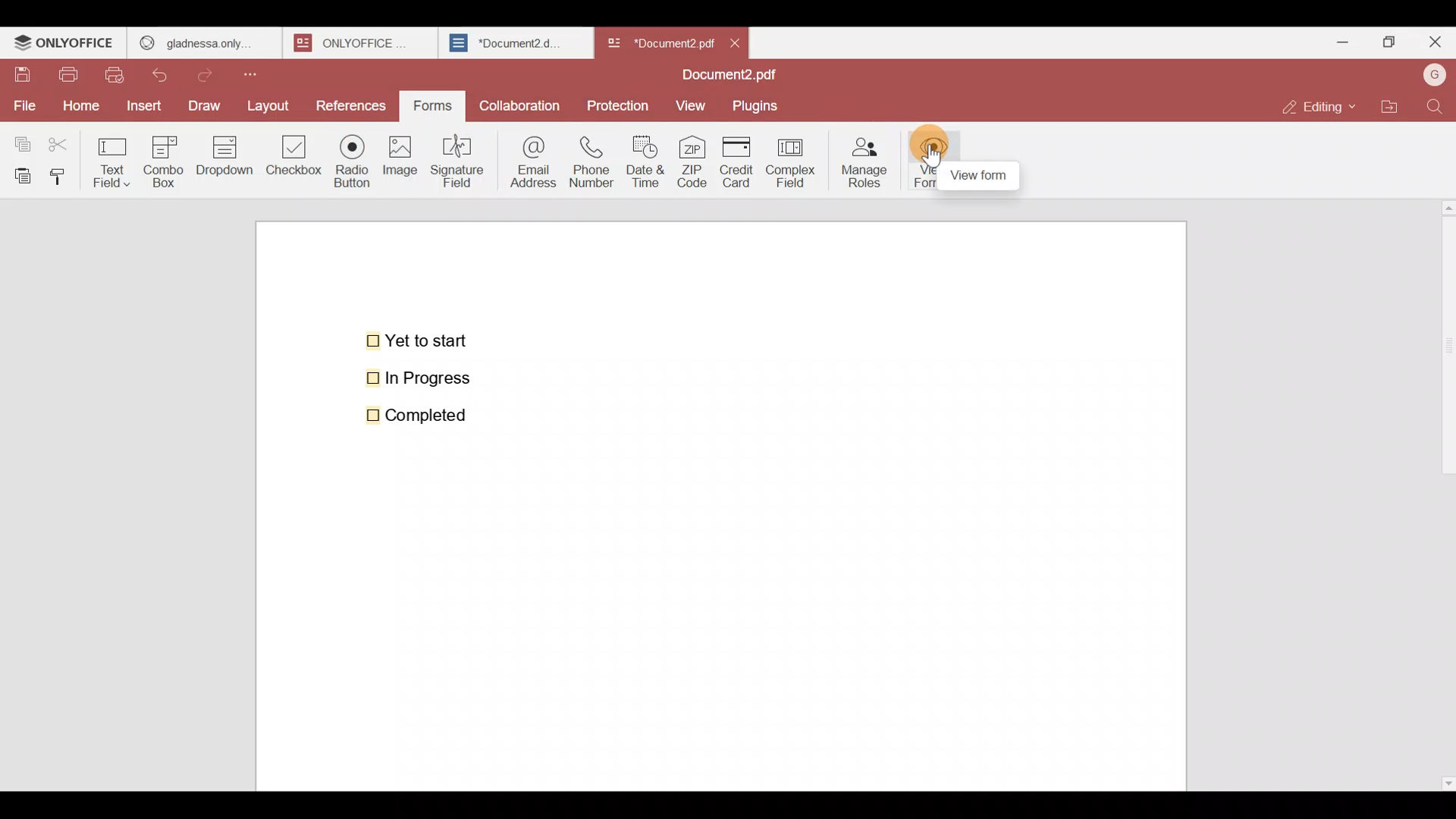  Describe the element at coordinates (292, 161) in the screenshot. I see `Checkbox` at that location.